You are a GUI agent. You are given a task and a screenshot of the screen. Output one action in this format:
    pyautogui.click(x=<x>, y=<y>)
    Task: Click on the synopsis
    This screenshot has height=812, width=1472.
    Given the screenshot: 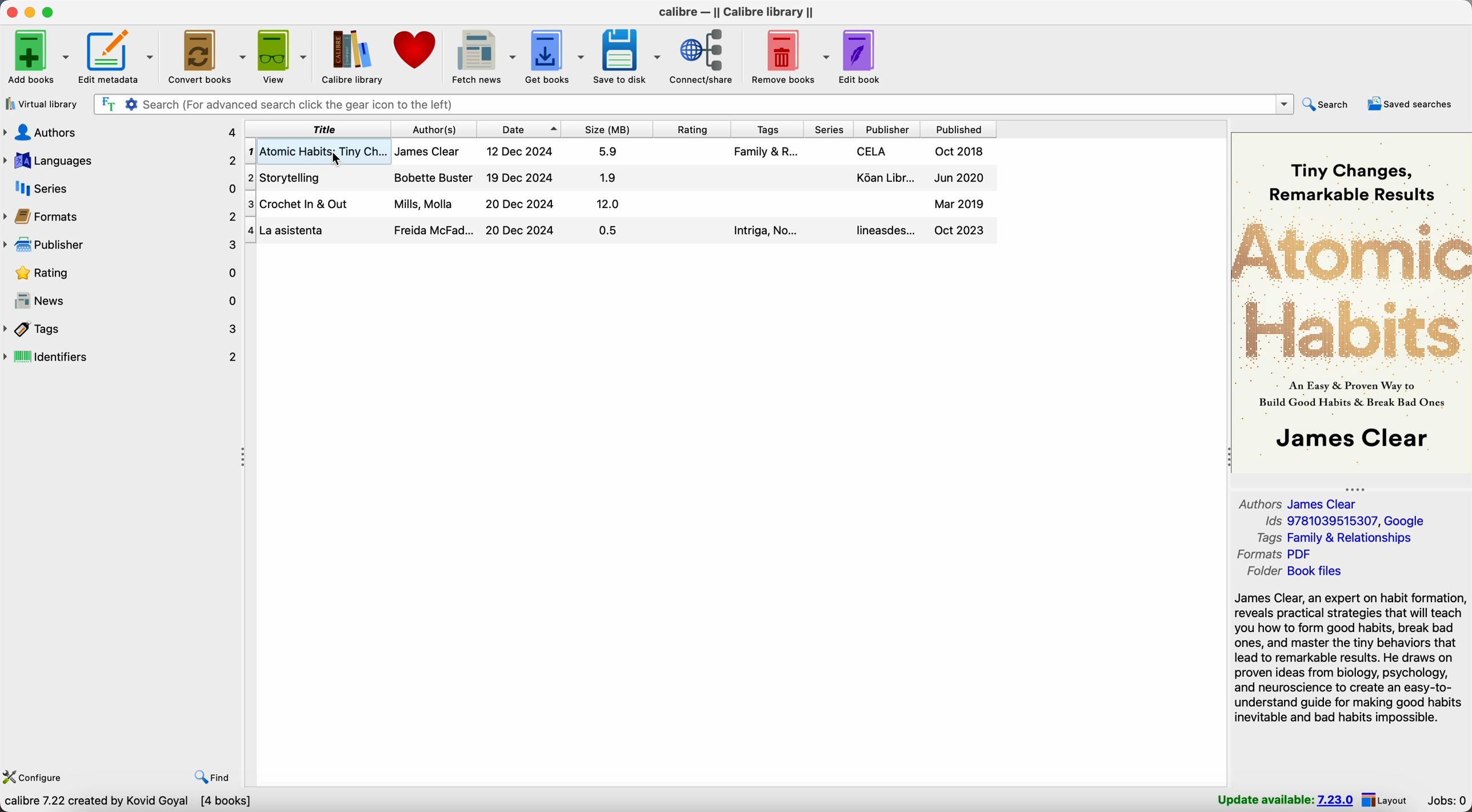 What is the action you would take?
    pyautogui.click(x=1350, y=658)
    